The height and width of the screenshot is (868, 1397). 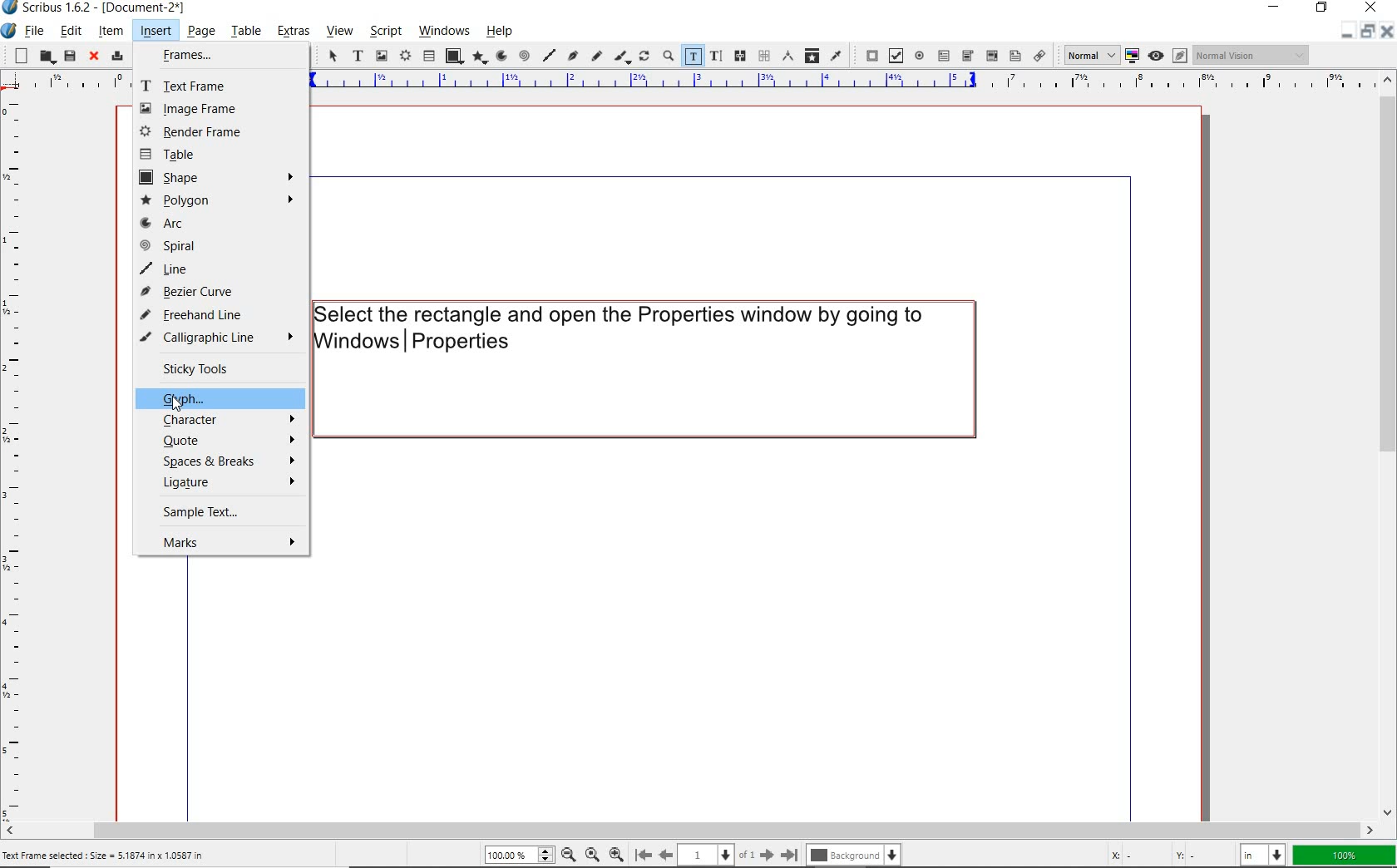 I want to click on close, so click(x=1370, y=9).